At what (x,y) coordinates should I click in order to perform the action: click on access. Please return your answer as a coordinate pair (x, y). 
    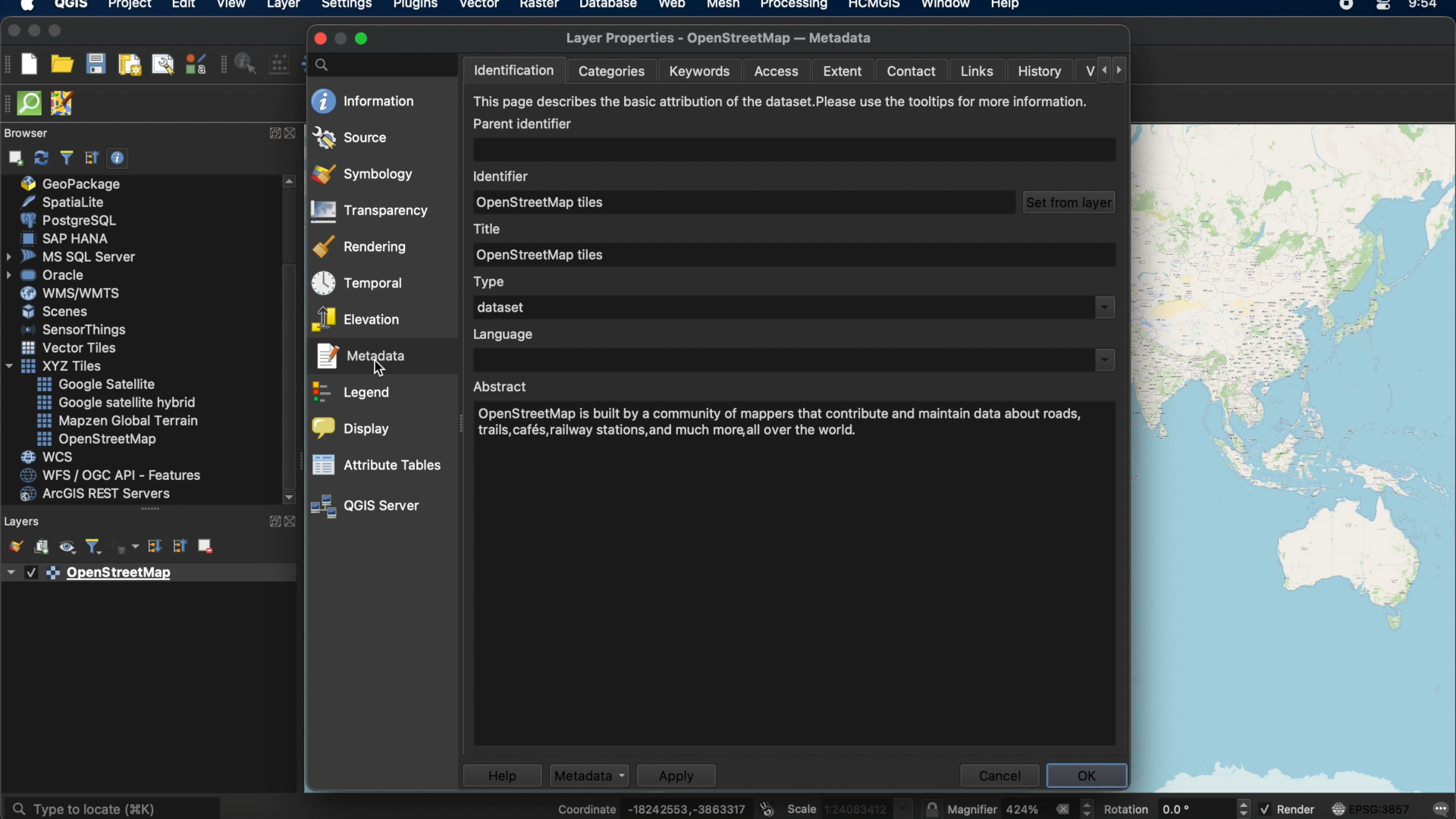
    Looking at the image, I should click on (779, 73).